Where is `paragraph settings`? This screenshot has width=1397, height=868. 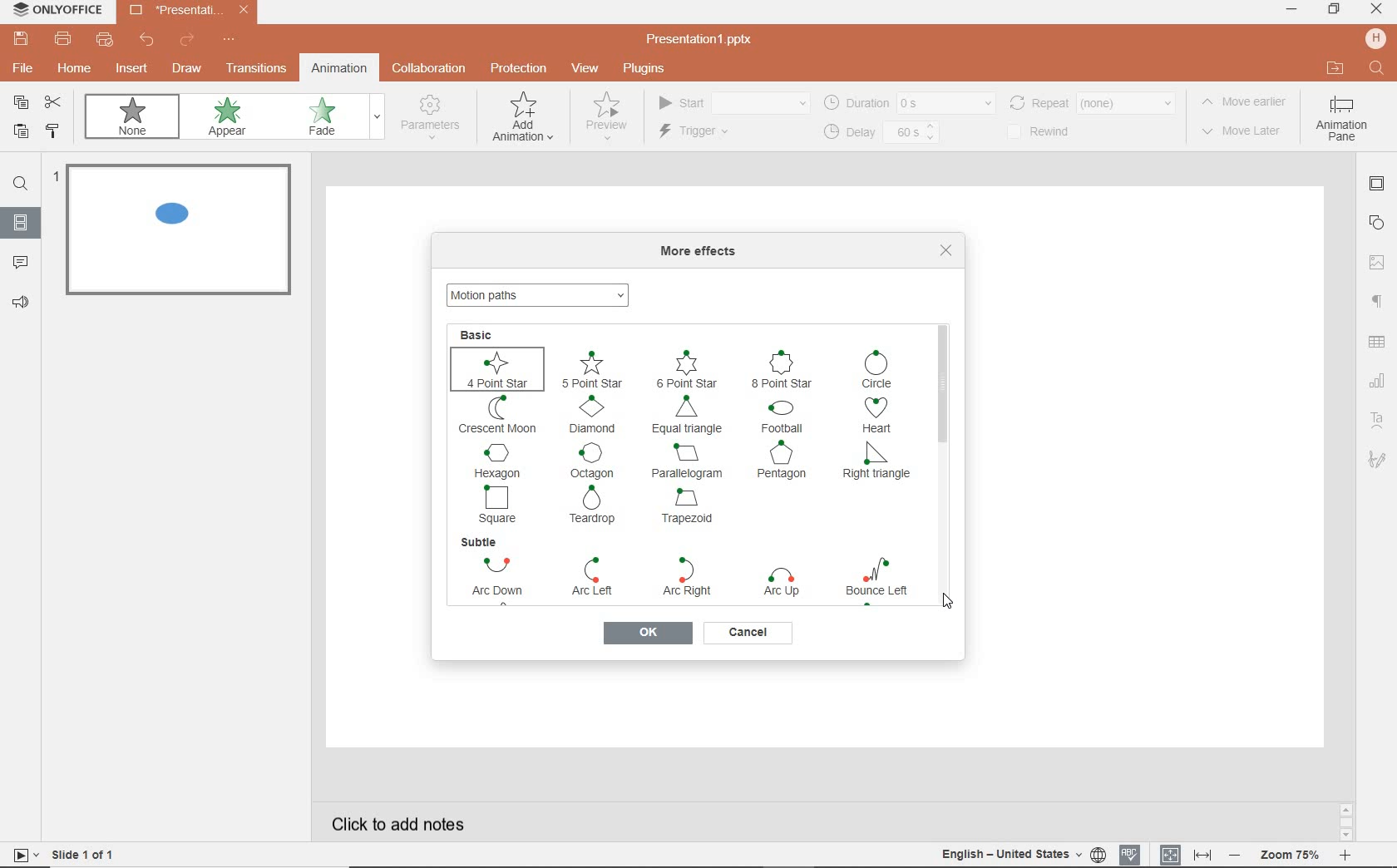
paragraph settings is located at coordinates (1376, 303).